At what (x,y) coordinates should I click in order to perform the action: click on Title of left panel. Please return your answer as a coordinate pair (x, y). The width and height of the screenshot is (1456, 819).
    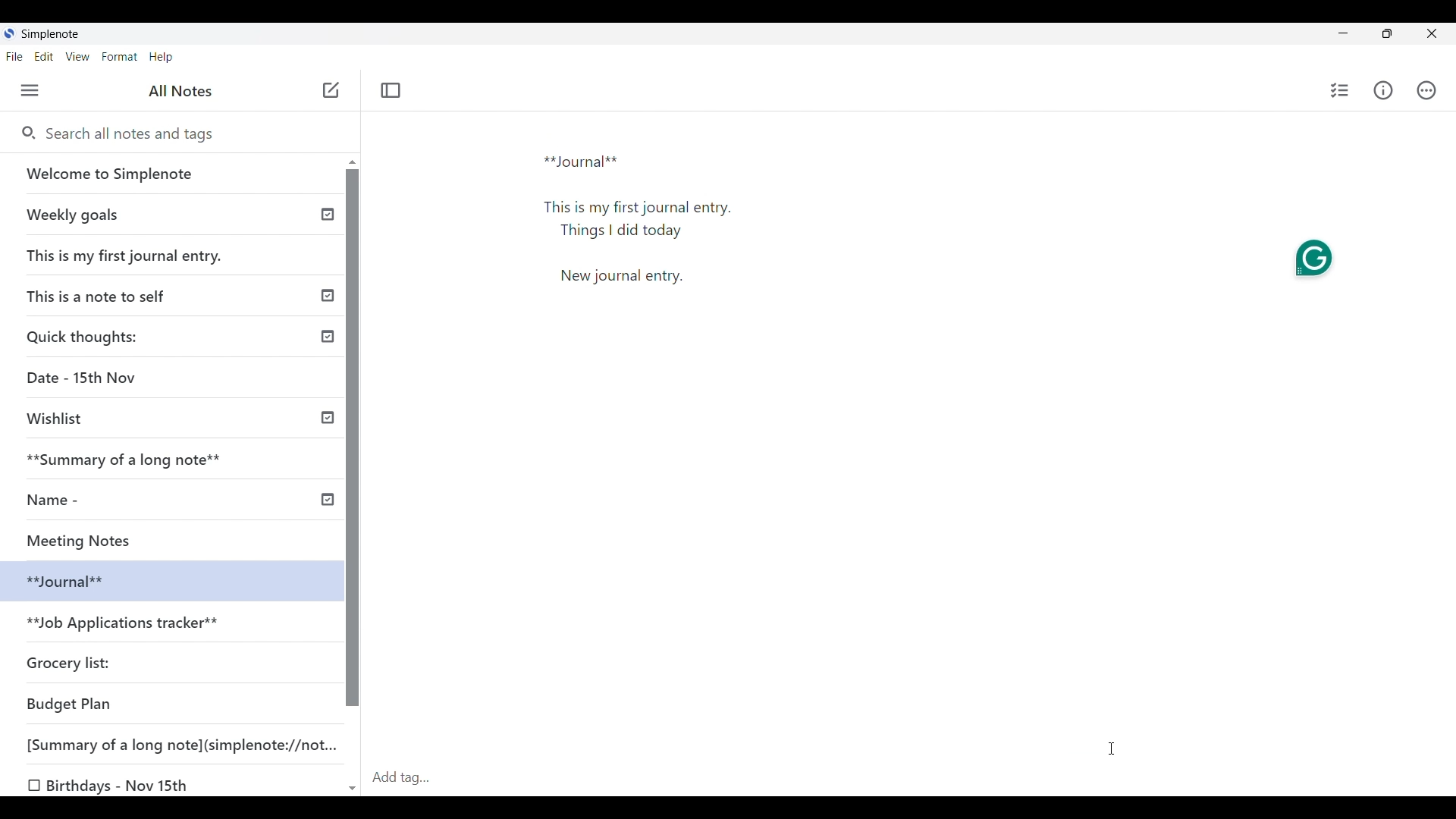
    Looking at the image, I should click on (180, 91).